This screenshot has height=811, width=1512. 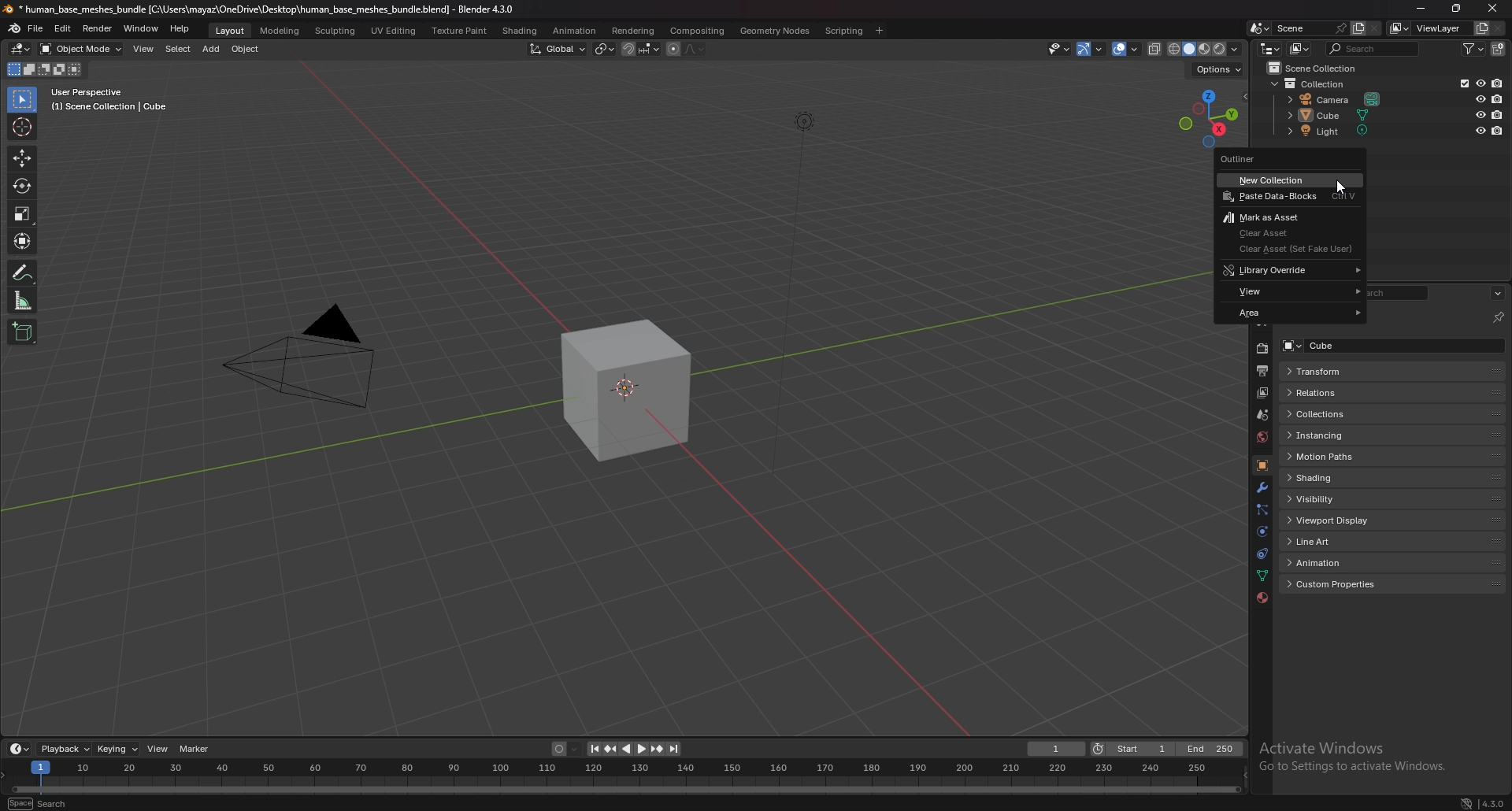 I want to click on modeling, so click(x=281, y=31).